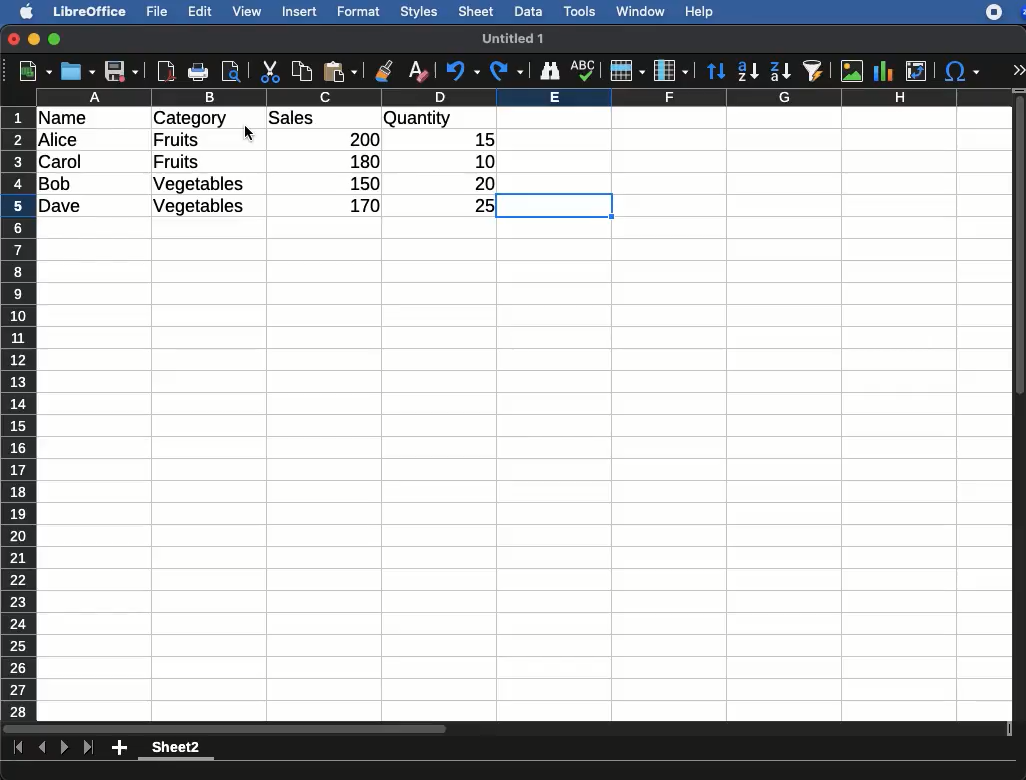 The image size is (1026, 780). Describe the element at coordinates (91, 11) in the screenshot. I see `libreoffice` at that location.